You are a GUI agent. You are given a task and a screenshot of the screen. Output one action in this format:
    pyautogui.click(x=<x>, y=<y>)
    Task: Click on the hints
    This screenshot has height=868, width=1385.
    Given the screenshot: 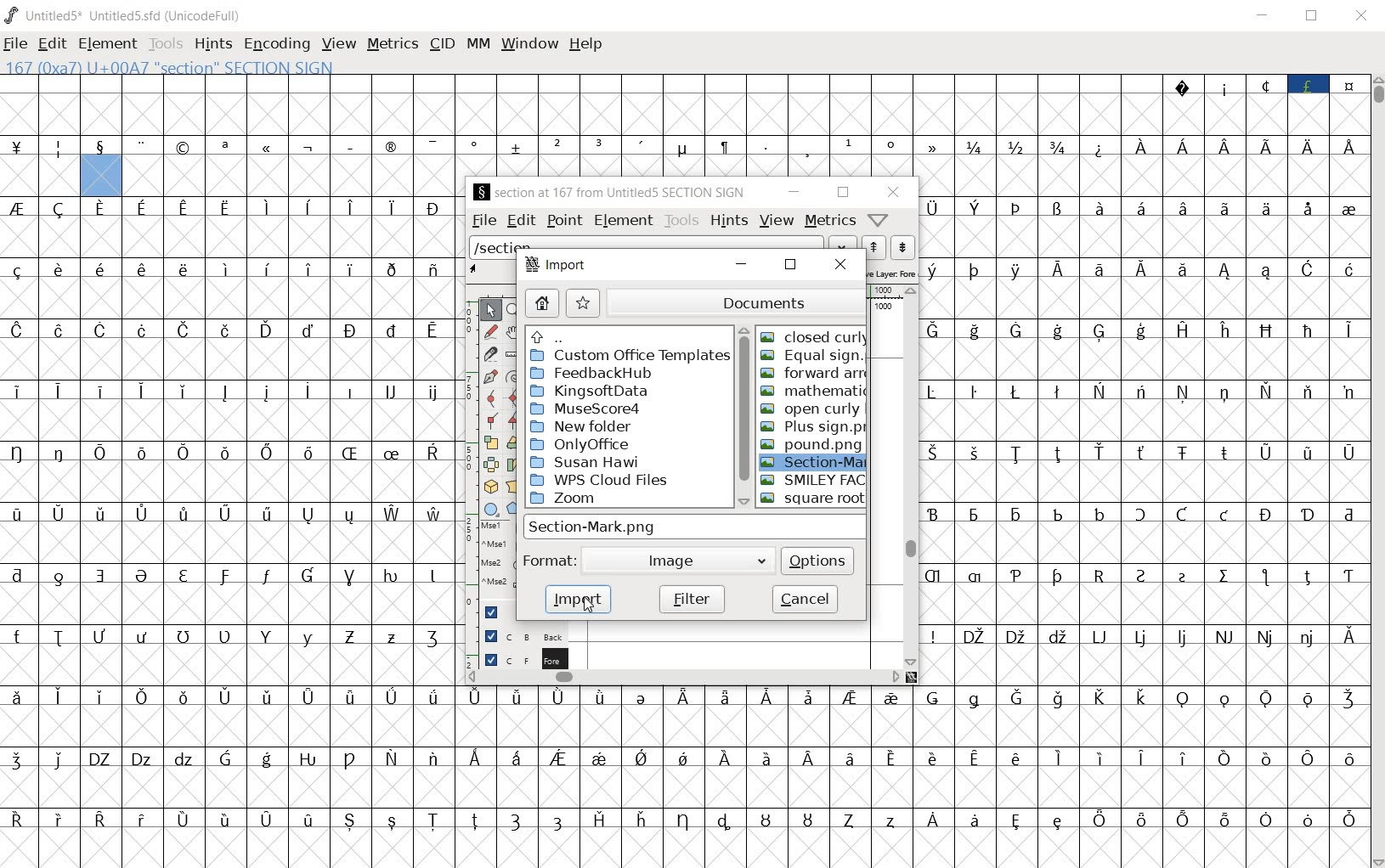 What is the action you would take?
    pyautogui.click(x=731, y=222)
    